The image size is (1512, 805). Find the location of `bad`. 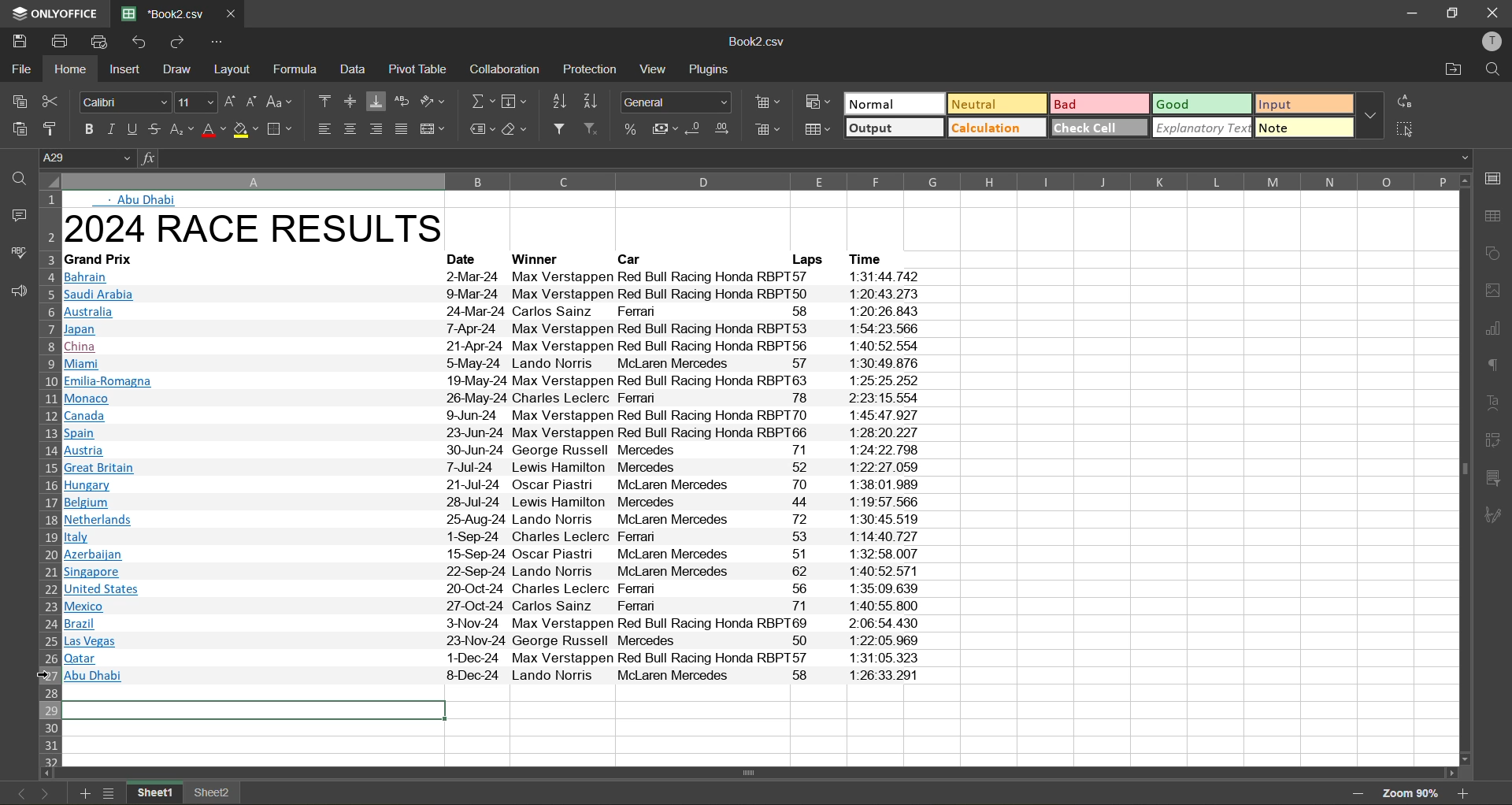

bad is located at coordinates (1102, 103).